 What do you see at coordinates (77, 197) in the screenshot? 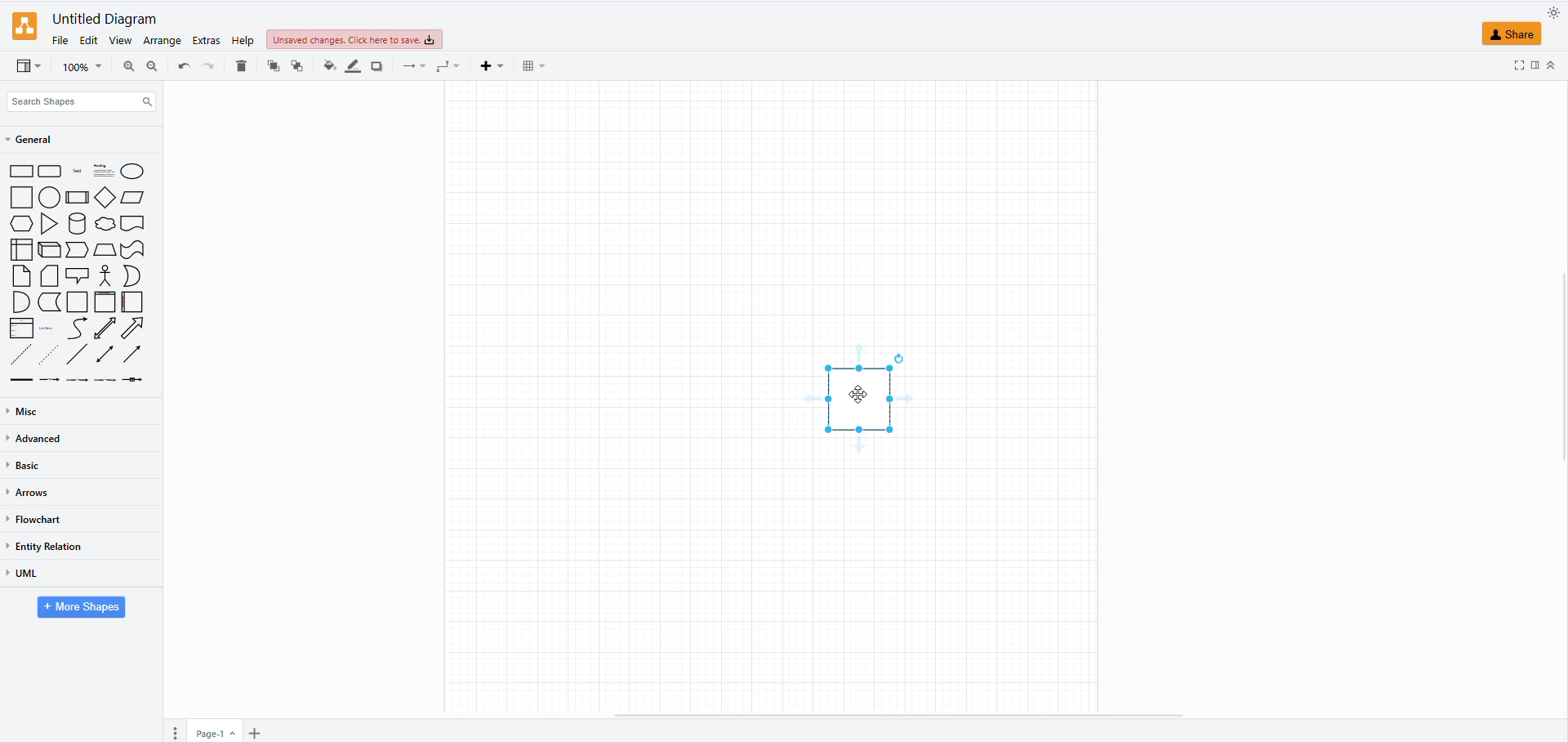
I see `process` at bounding box center [77, 197].